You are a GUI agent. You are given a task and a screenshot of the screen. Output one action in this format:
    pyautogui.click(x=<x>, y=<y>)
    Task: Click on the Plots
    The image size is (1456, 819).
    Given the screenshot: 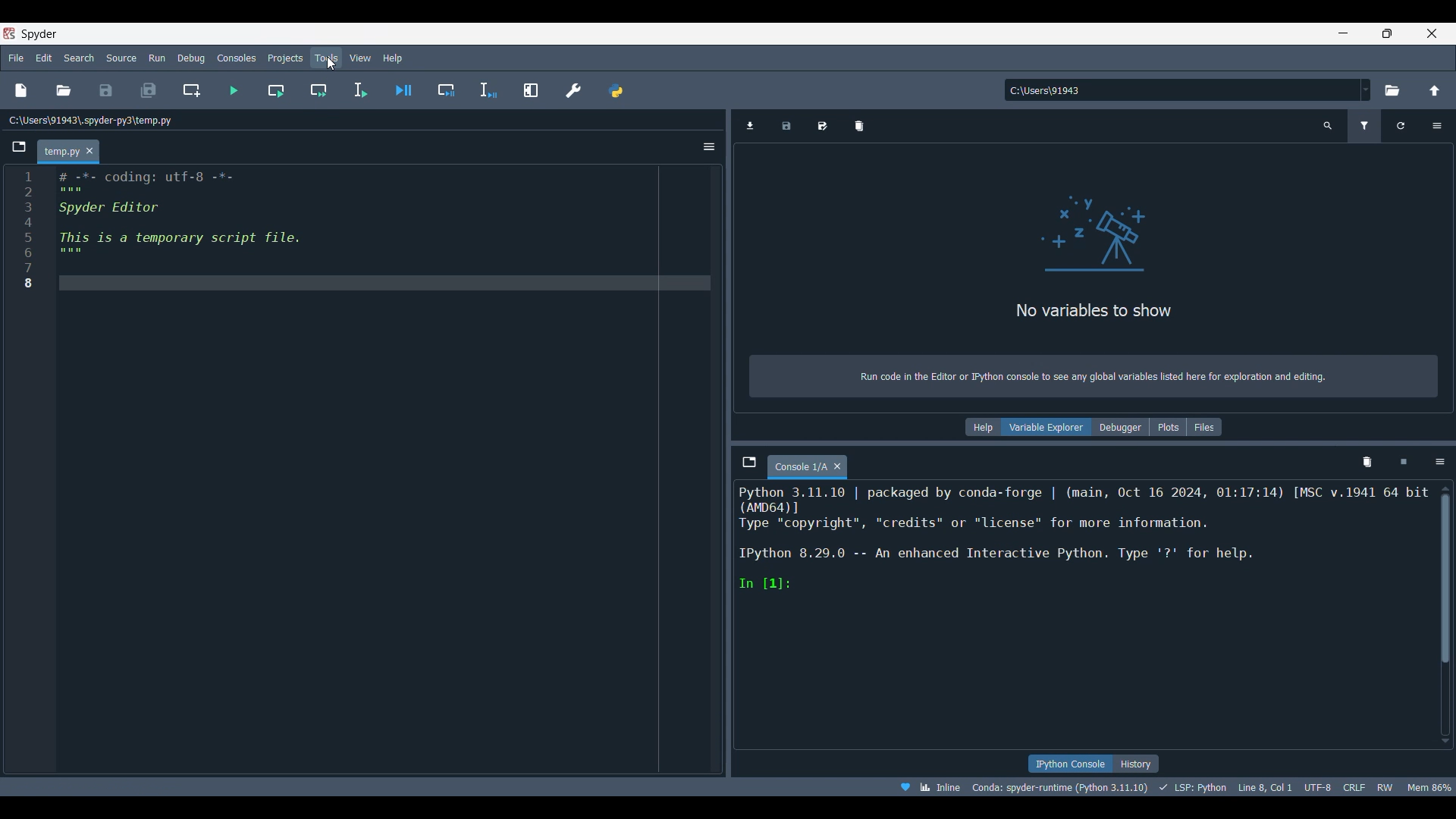 What is the action you would take?
    pyautogui.click(x=1168, y=427)
    